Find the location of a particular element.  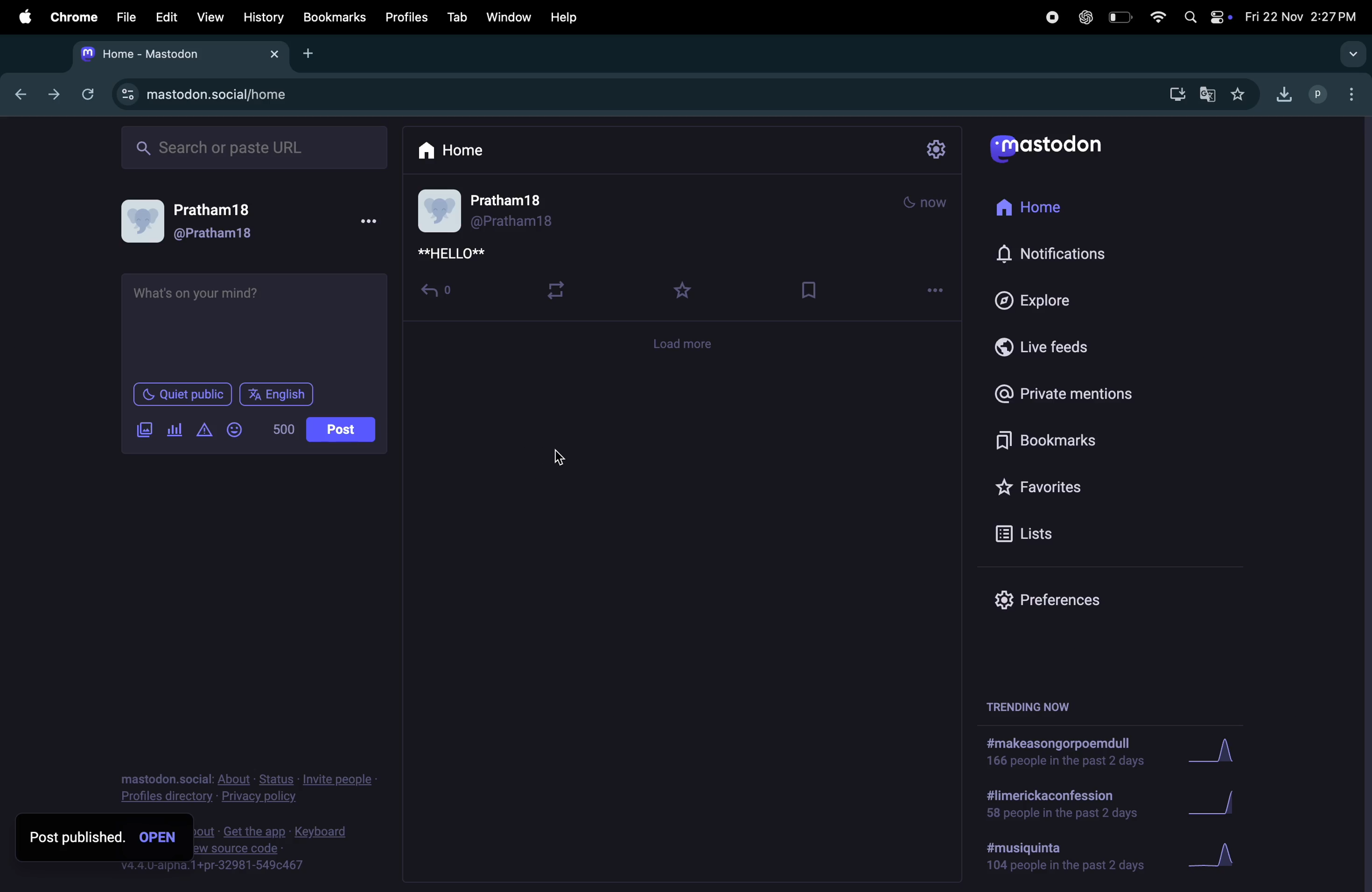

apple widgets is located at coordinates (1207, 17).